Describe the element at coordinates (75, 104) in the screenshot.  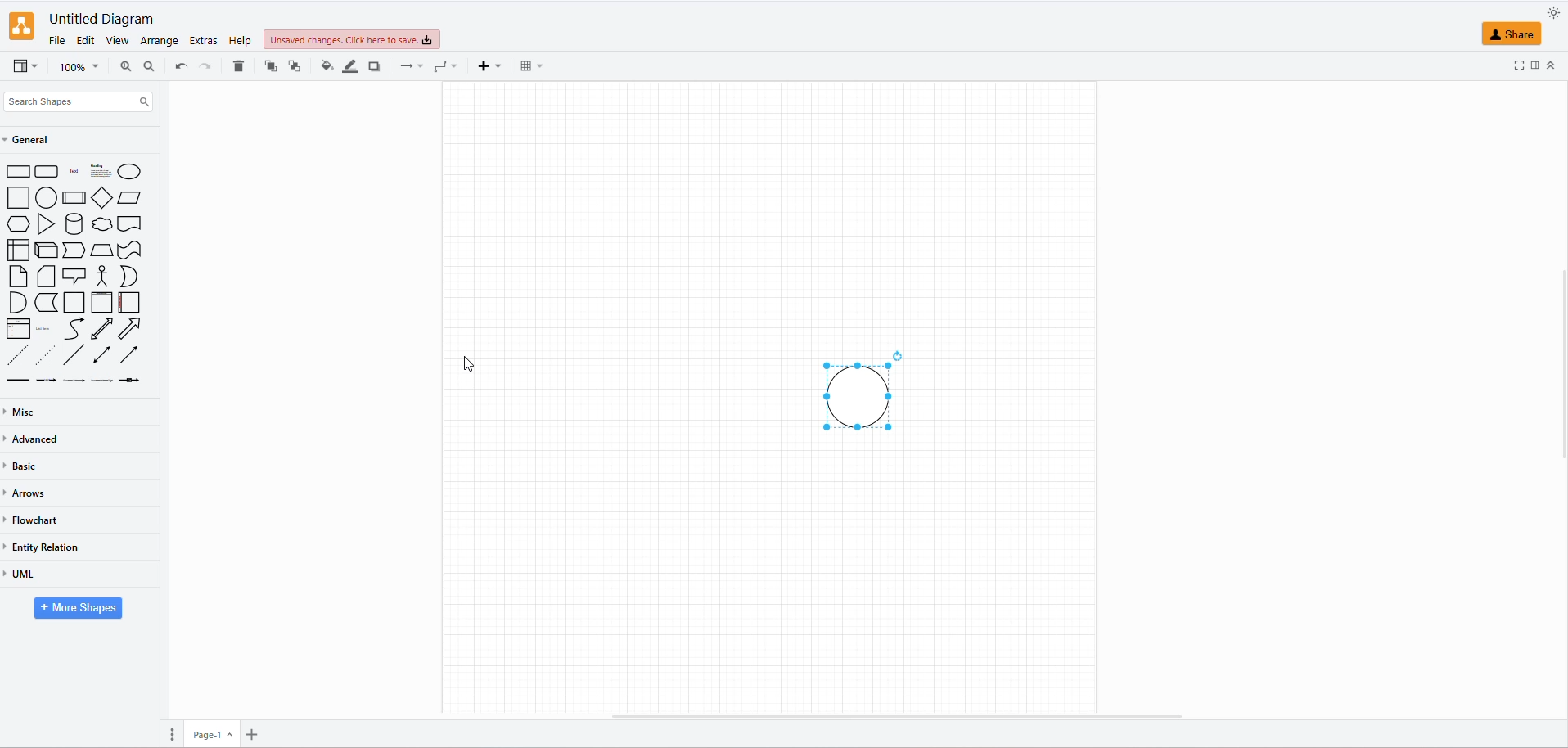
I see `SEARCH` at that location.